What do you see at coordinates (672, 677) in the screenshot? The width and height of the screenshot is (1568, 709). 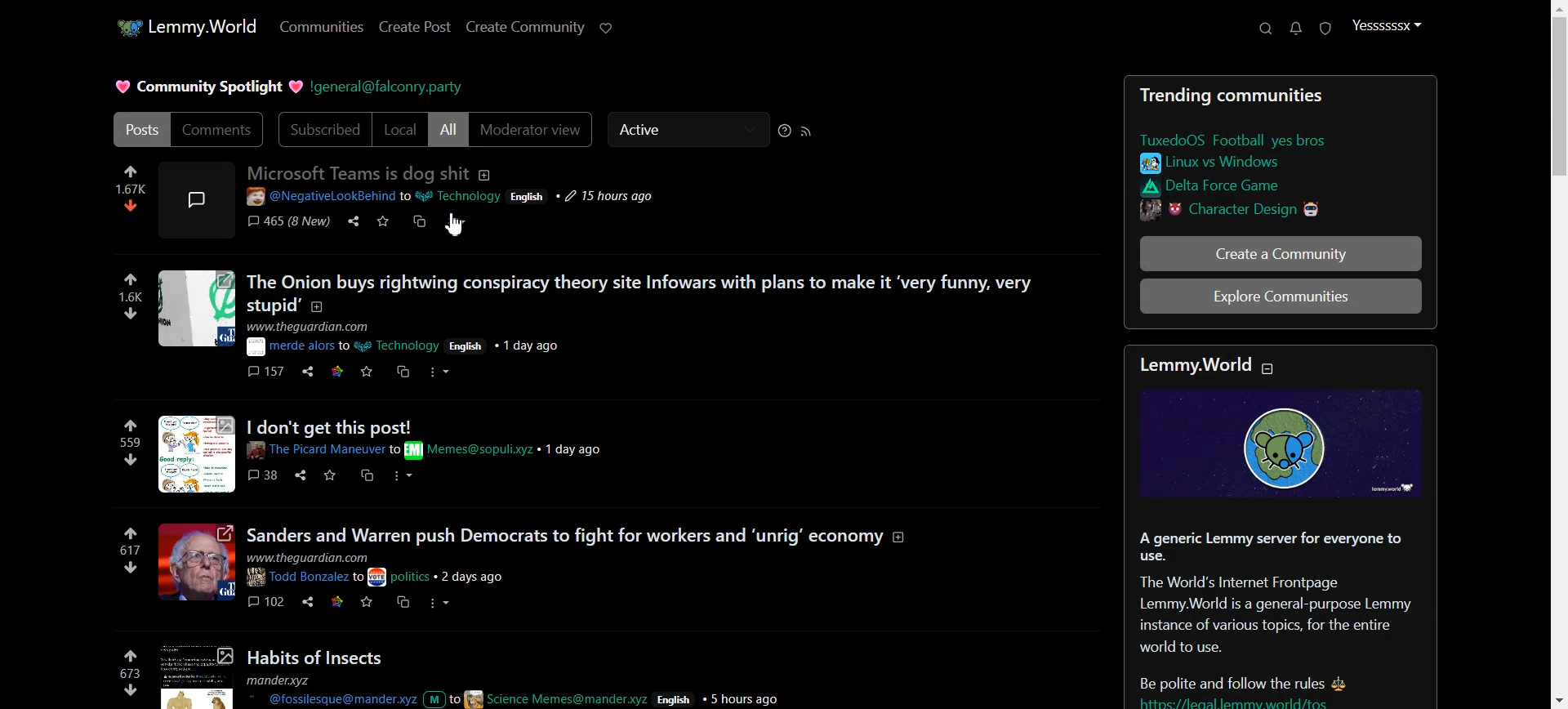 I see `Posts` at bounding box center [672, 677].